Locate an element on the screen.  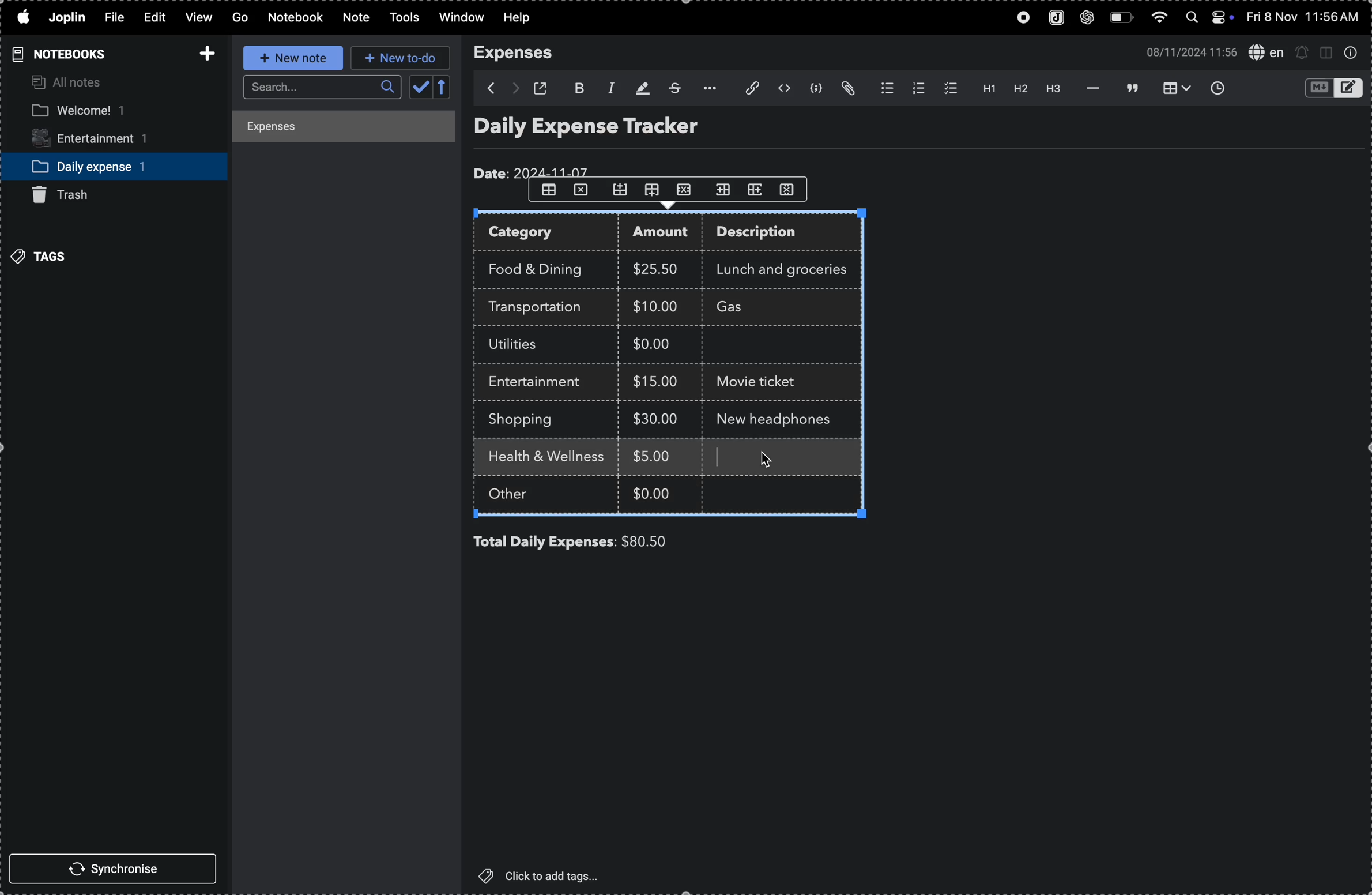
cursor is located at coordinates (771, 460).